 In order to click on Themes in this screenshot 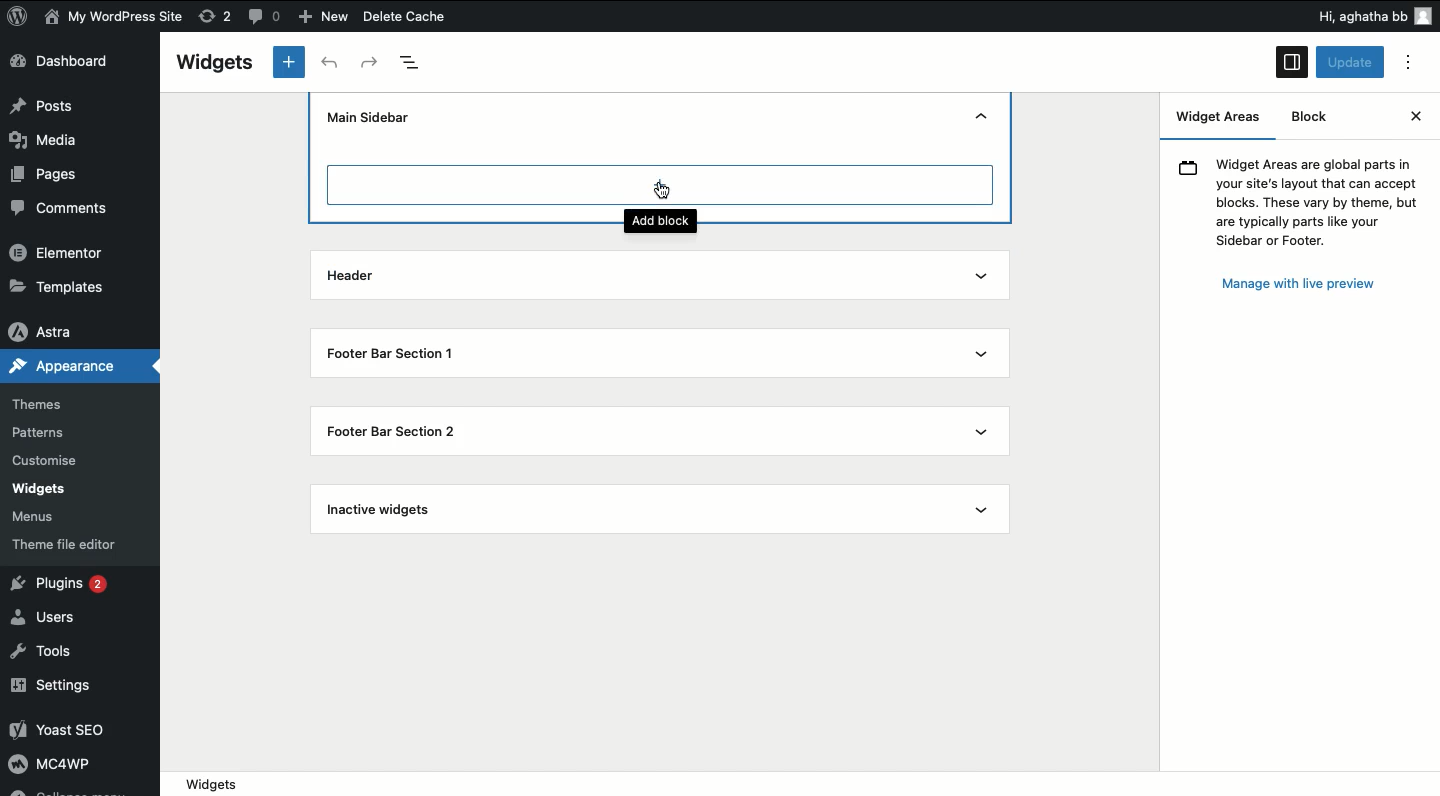, I will do `click(54, 404)`.